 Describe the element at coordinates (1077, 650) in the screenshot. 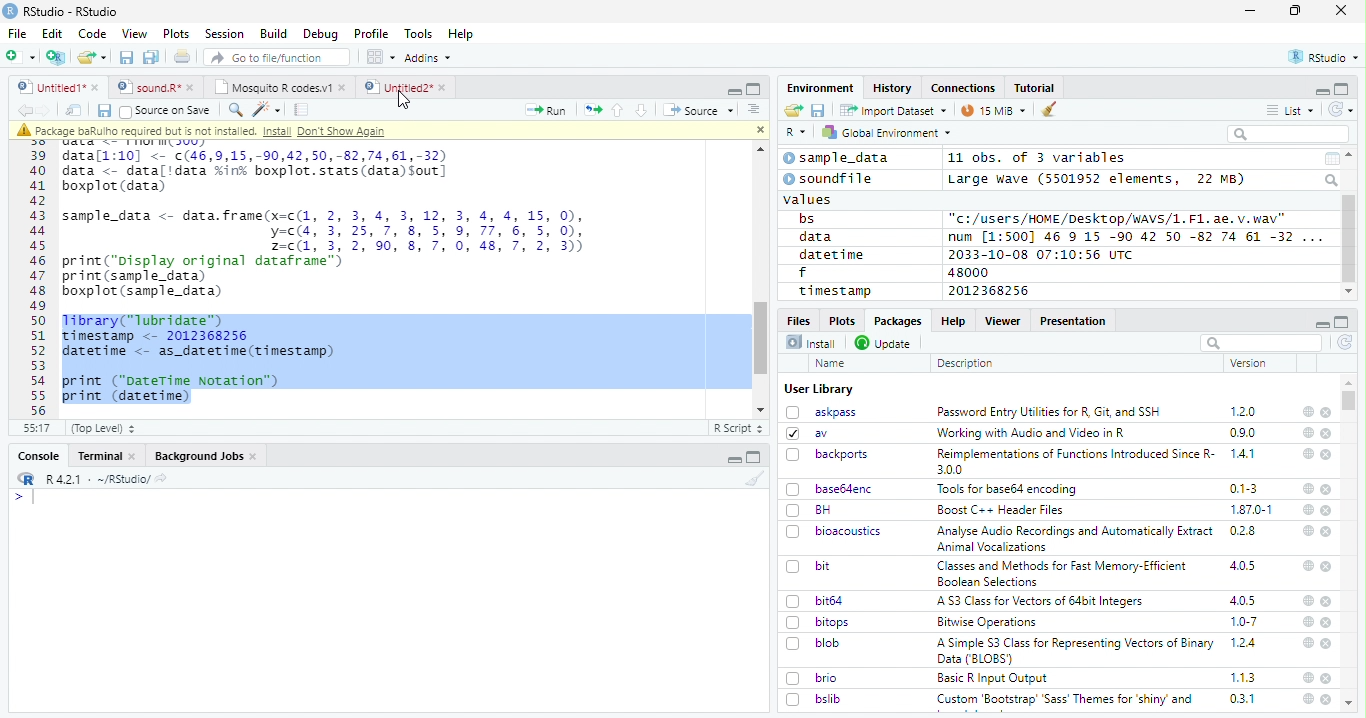

I see `A Simple S3 Class for Representing Vectors of Binary
Data (BLOBS)` at that location.